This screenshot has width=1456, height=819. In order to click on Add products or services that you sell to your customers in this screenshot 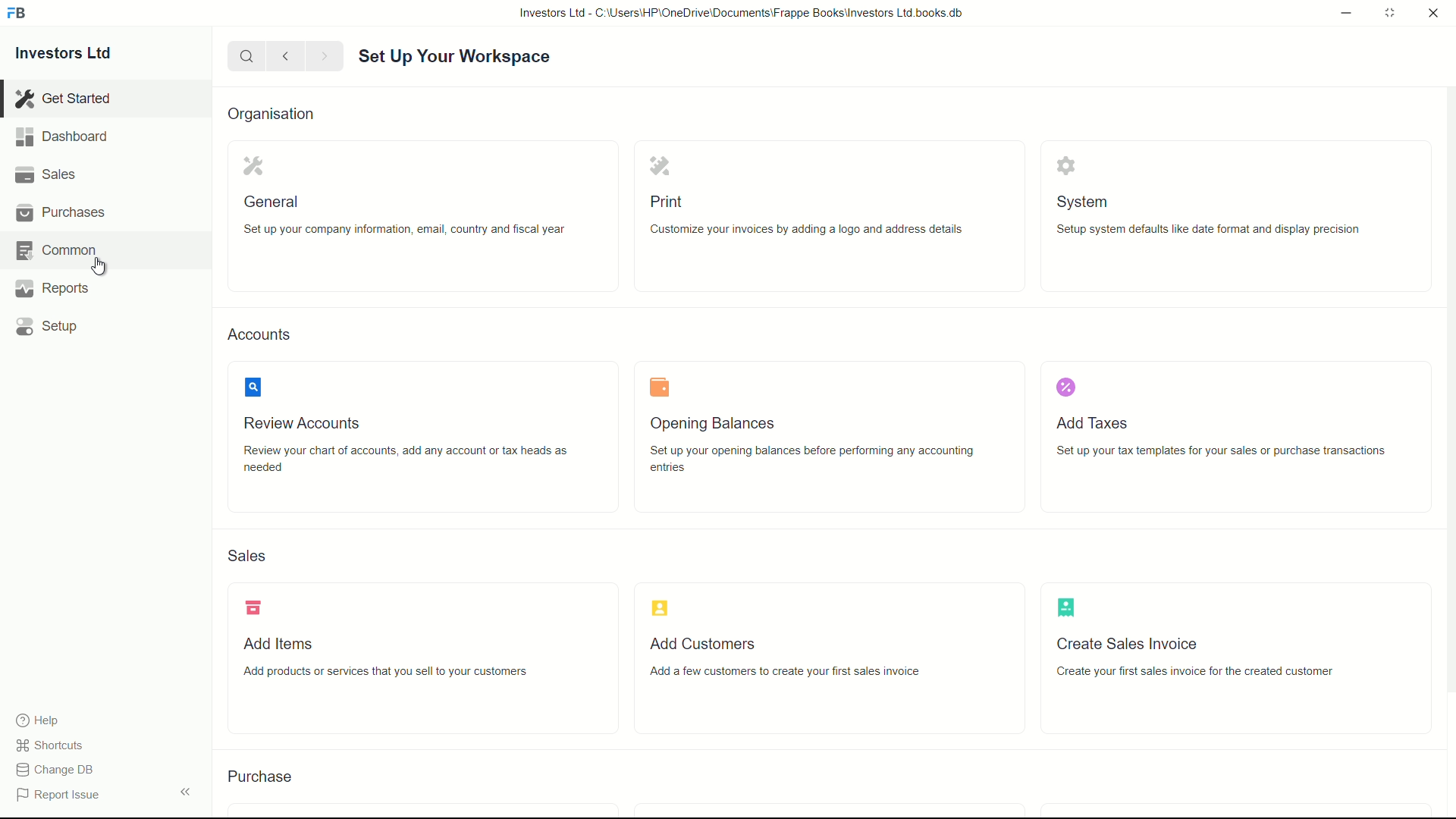, I will do `click(425, 675)`.